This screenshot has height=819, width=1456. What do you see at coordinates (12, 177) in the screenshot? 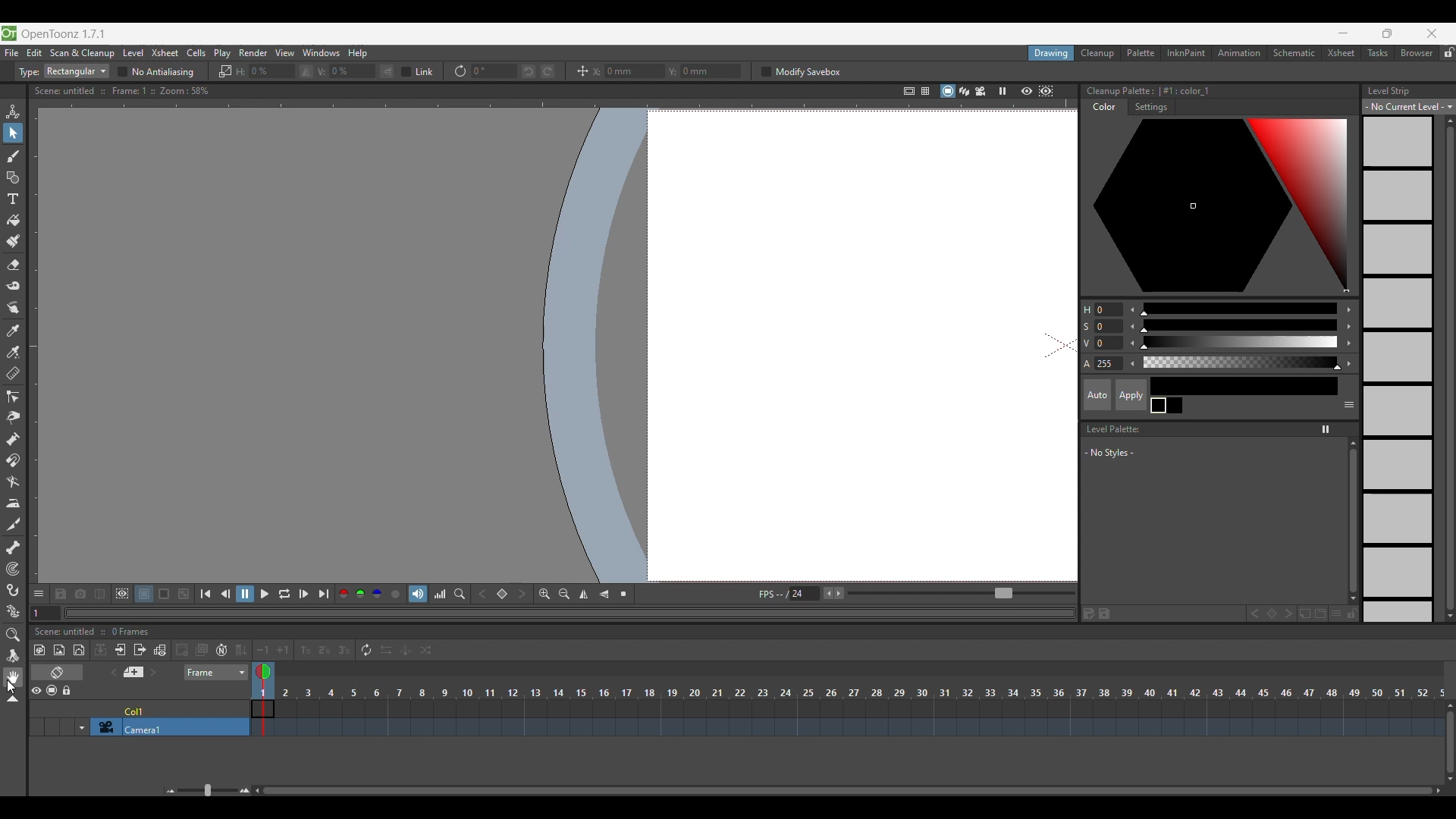
I see `Geometric tool` at bounding box center [12, 177].